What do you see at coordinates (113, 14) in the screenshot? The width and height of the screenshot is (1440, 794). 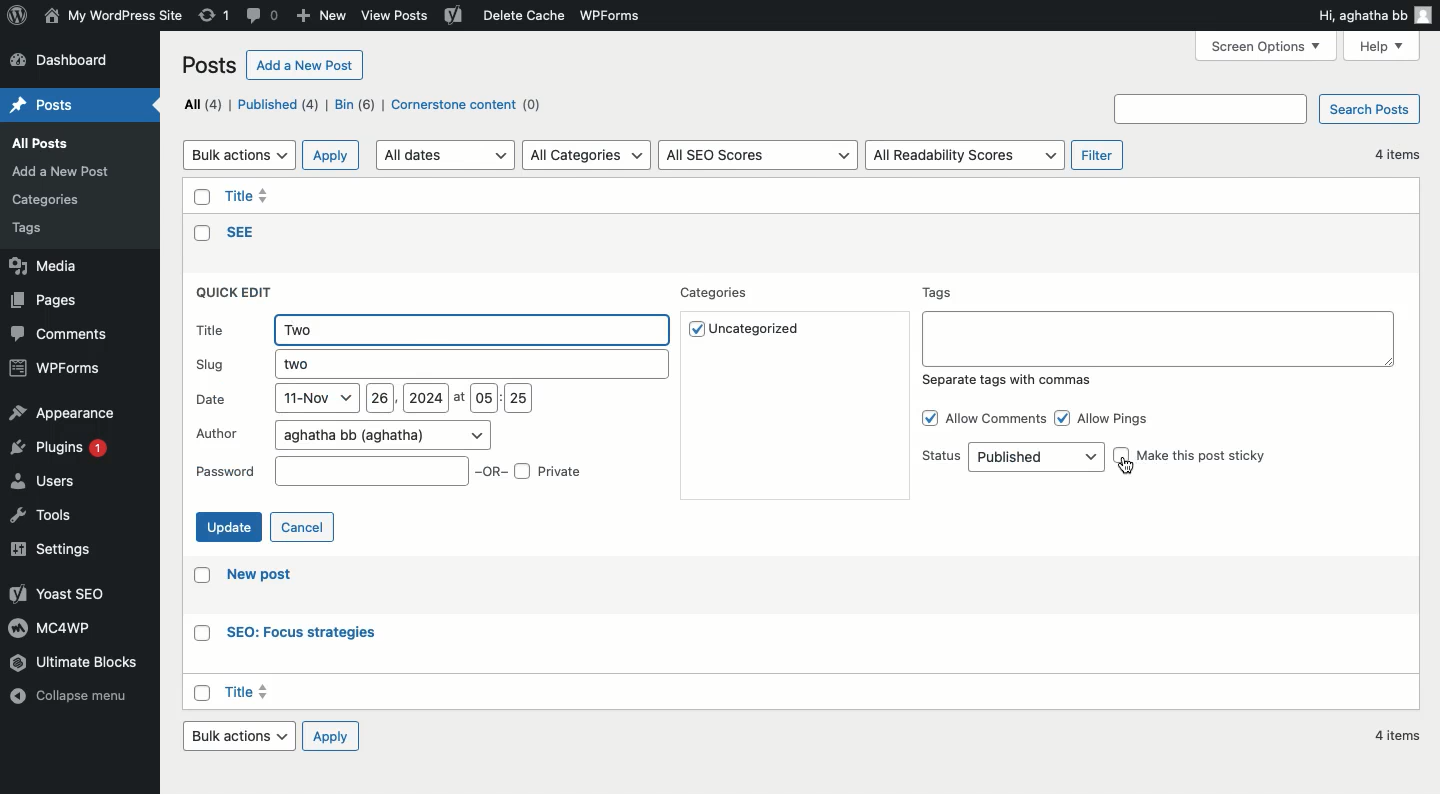 I see `Name` at bounding box center [113, 14].